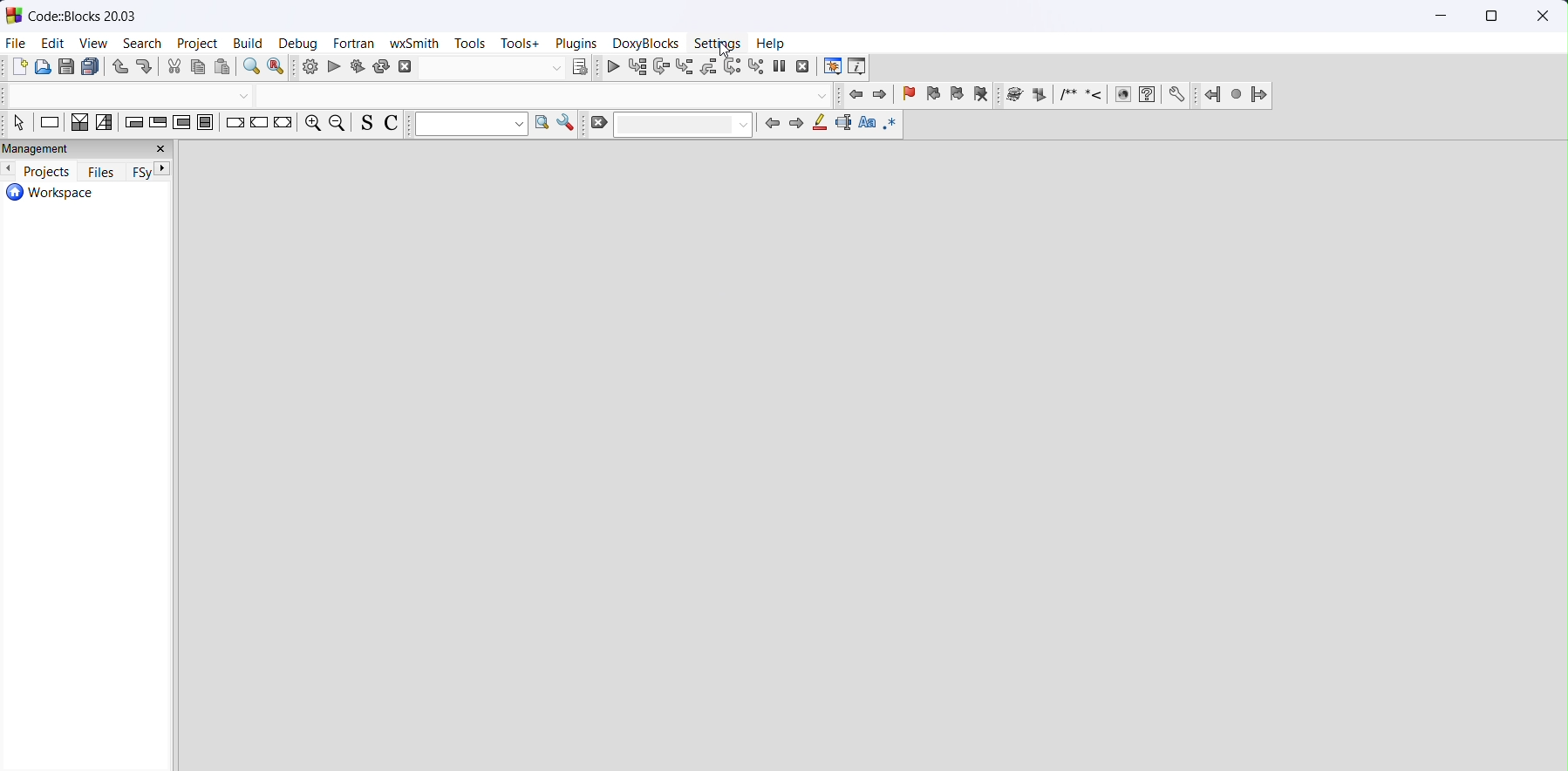  I want to click on edit, so click(52, 44).